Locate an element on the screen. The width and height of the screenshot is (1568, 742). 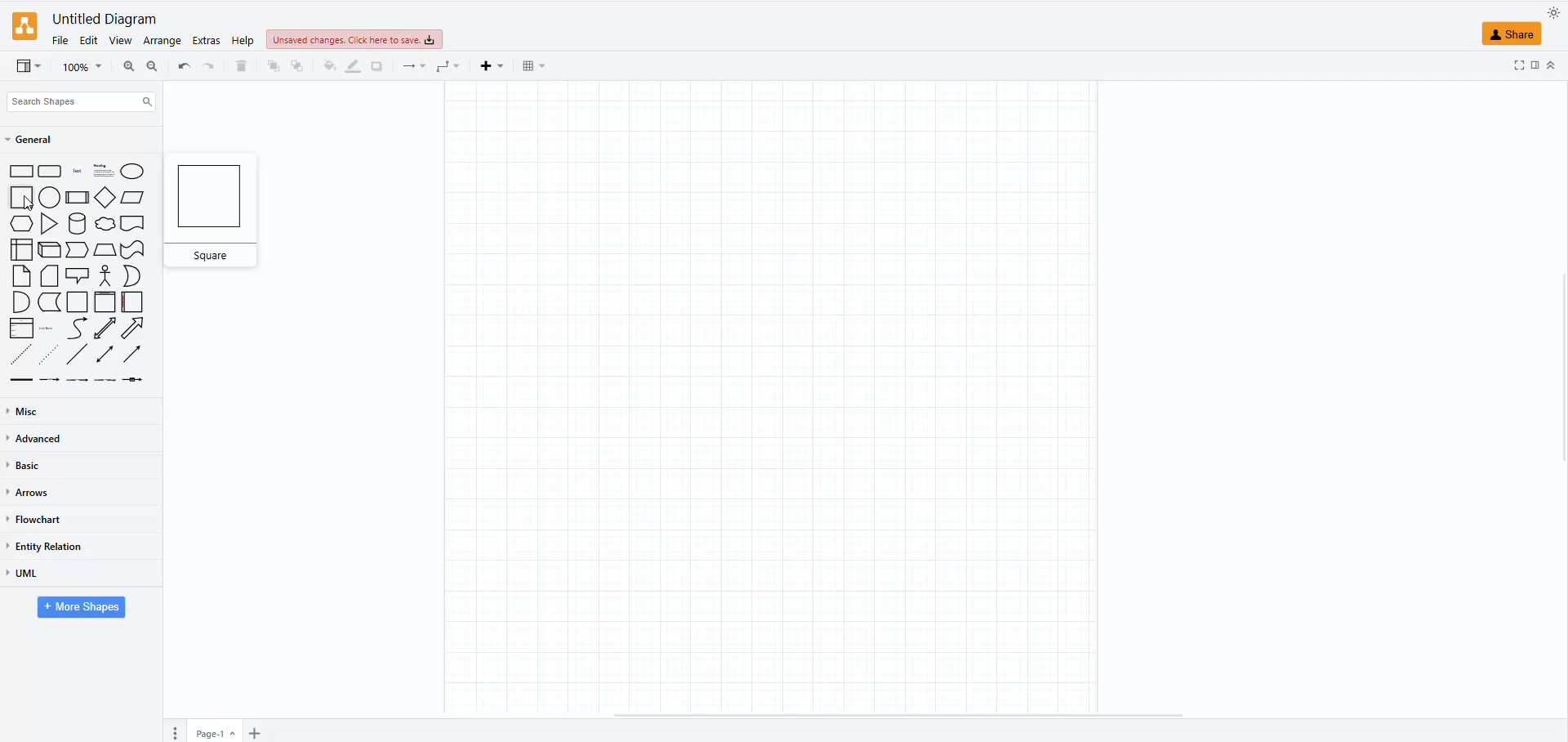
page 1 is located at coordinates (215, 734).